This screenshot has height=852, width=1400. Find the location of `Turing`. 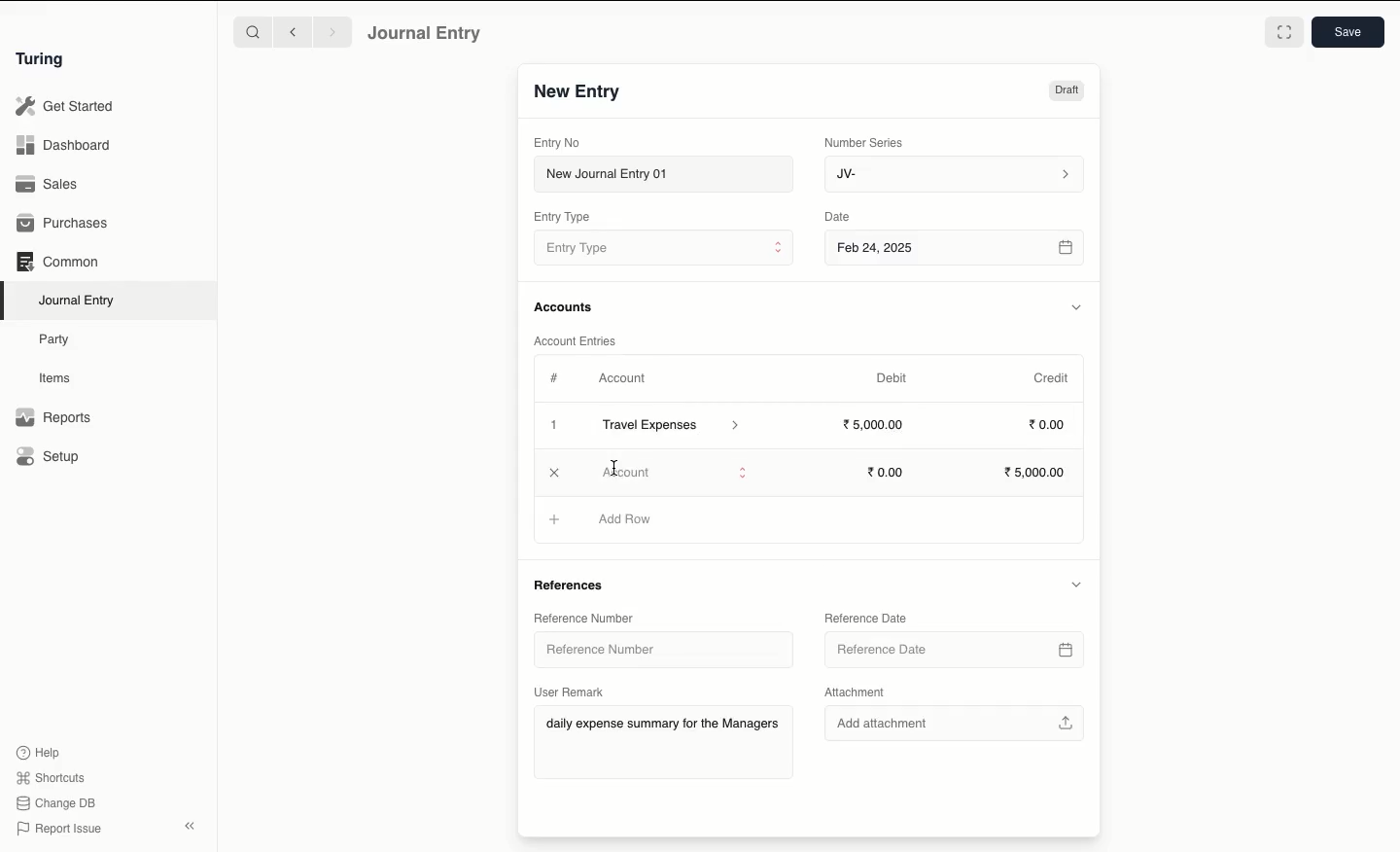

Turing is located at coordinates (44, 60).